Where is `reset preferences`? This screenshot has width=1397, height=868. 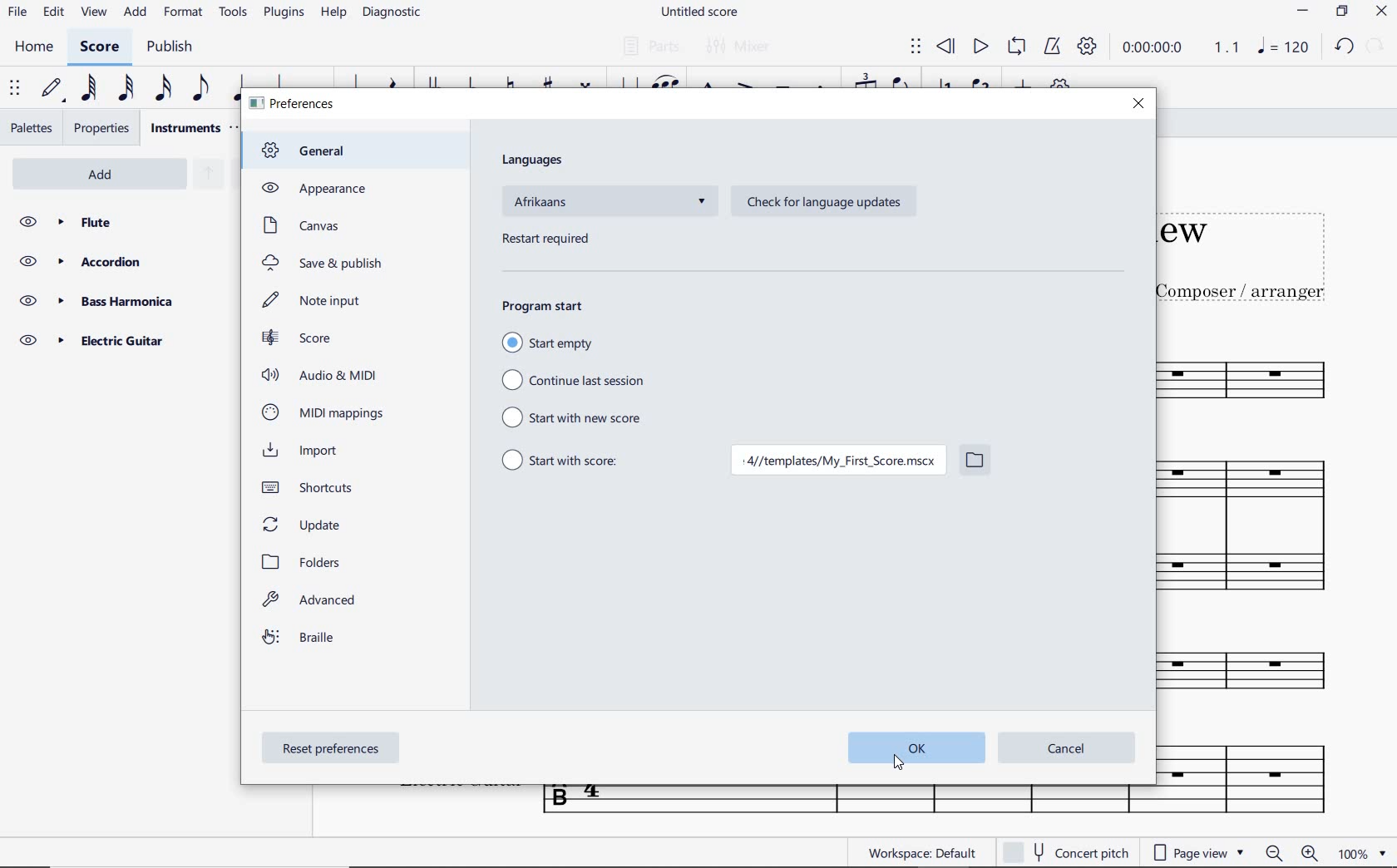 reset preferences is located at coordinates (333, 750).